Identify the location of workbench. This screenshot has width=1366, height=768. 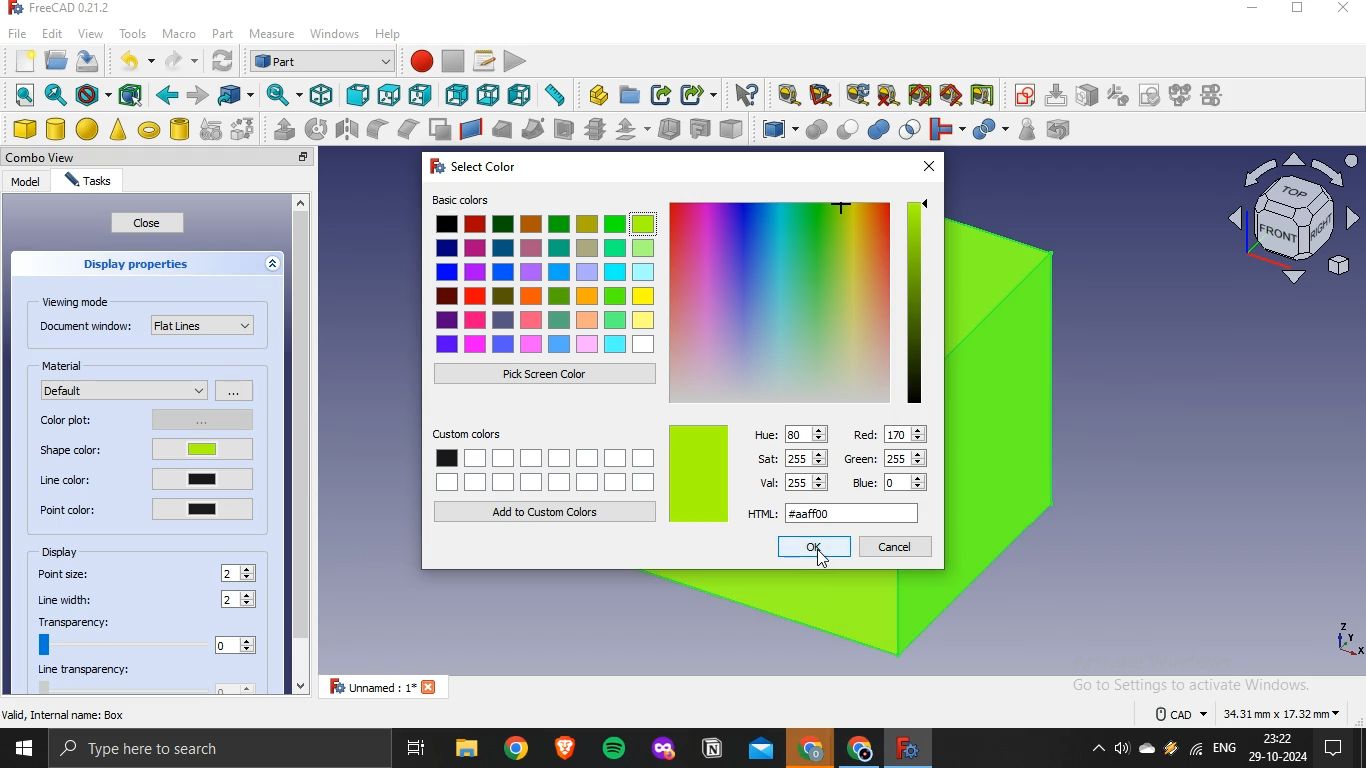
(322, 60).